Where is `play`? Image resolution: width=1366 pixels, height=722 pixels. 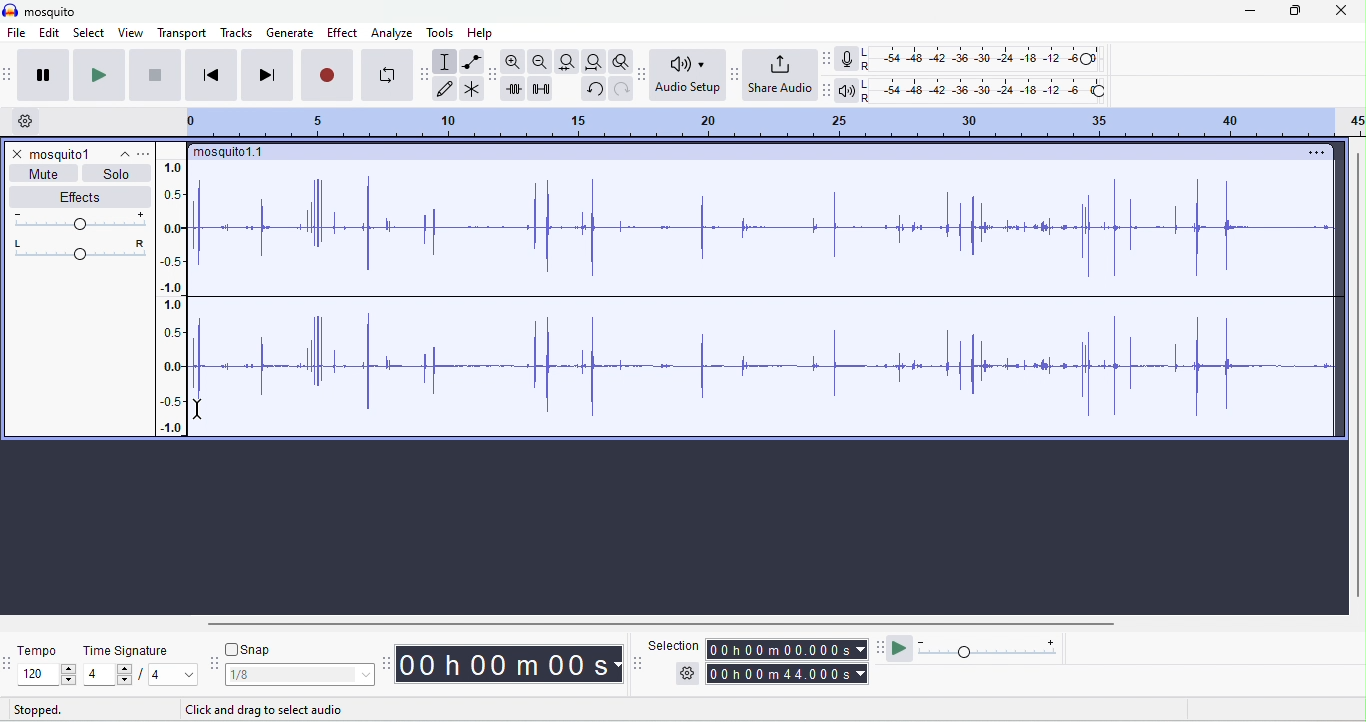
play is located at coordinates (97, 74).